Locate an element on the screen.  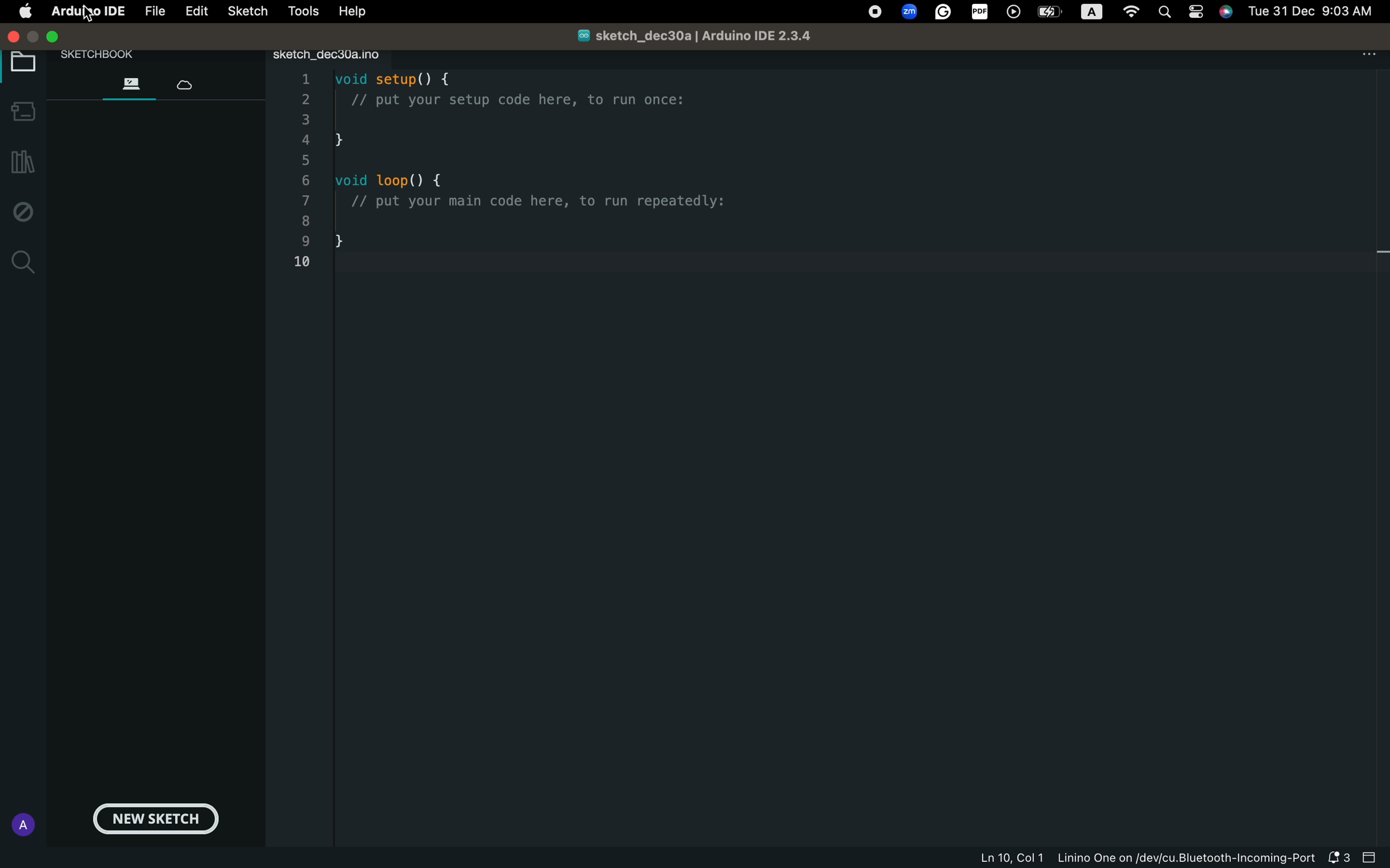
sketch book is located at coordinates (107, 56).